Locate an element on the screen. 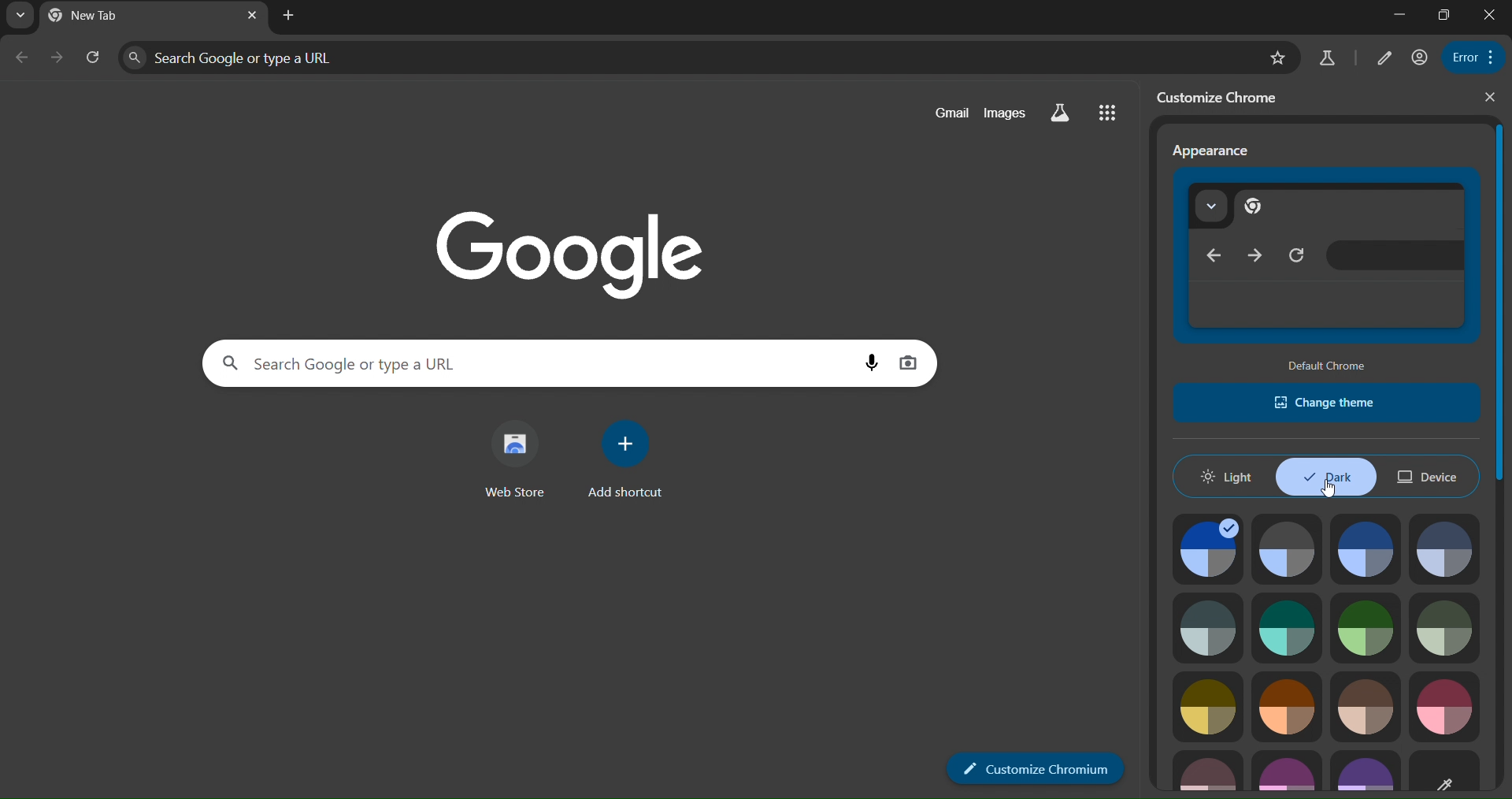 The image size is (1512, 799). close tab is located at coordinates (252, 16).